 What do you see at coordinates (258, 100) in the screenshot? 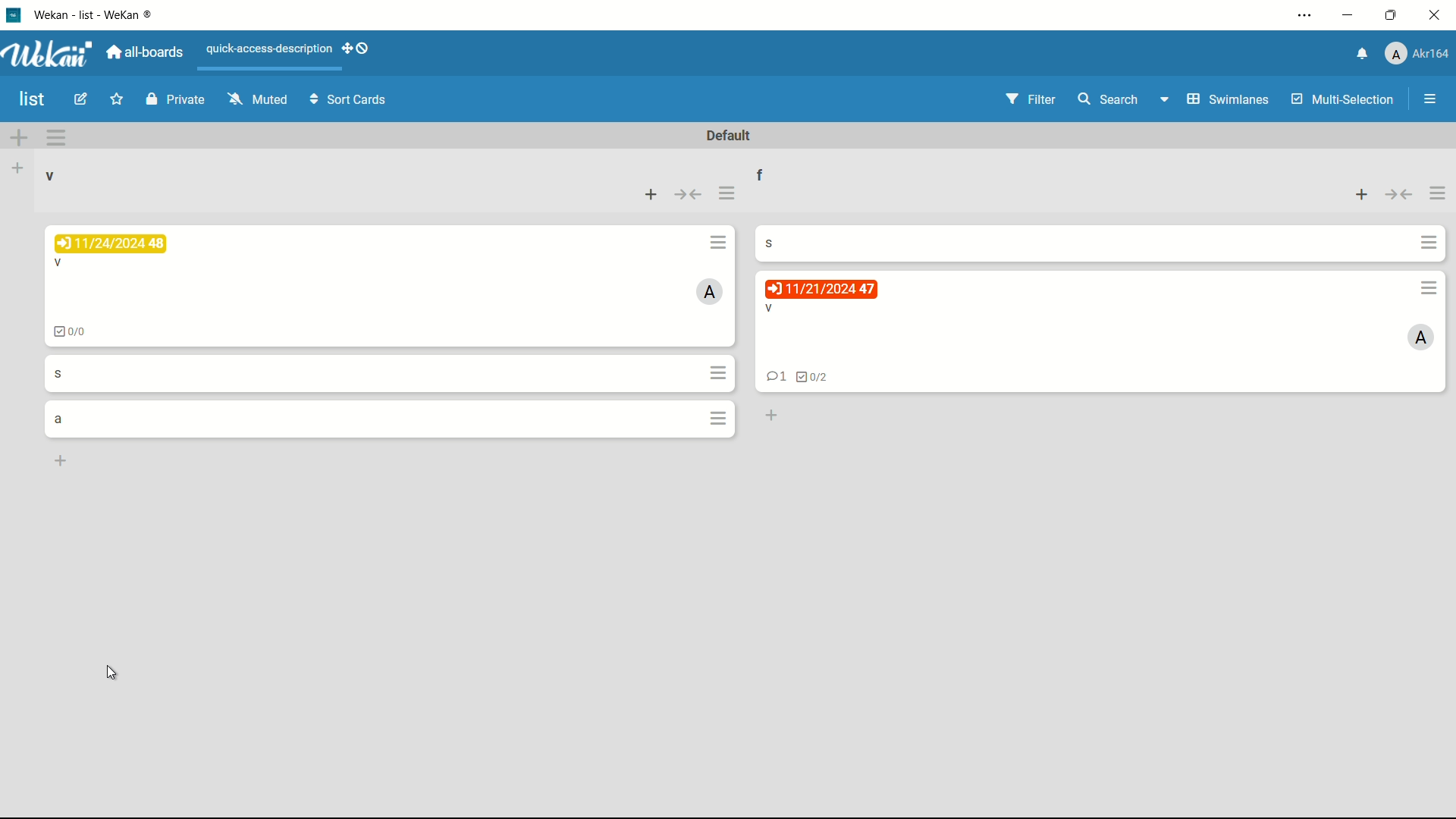
I see `muted` at bounding box center [258, 100].